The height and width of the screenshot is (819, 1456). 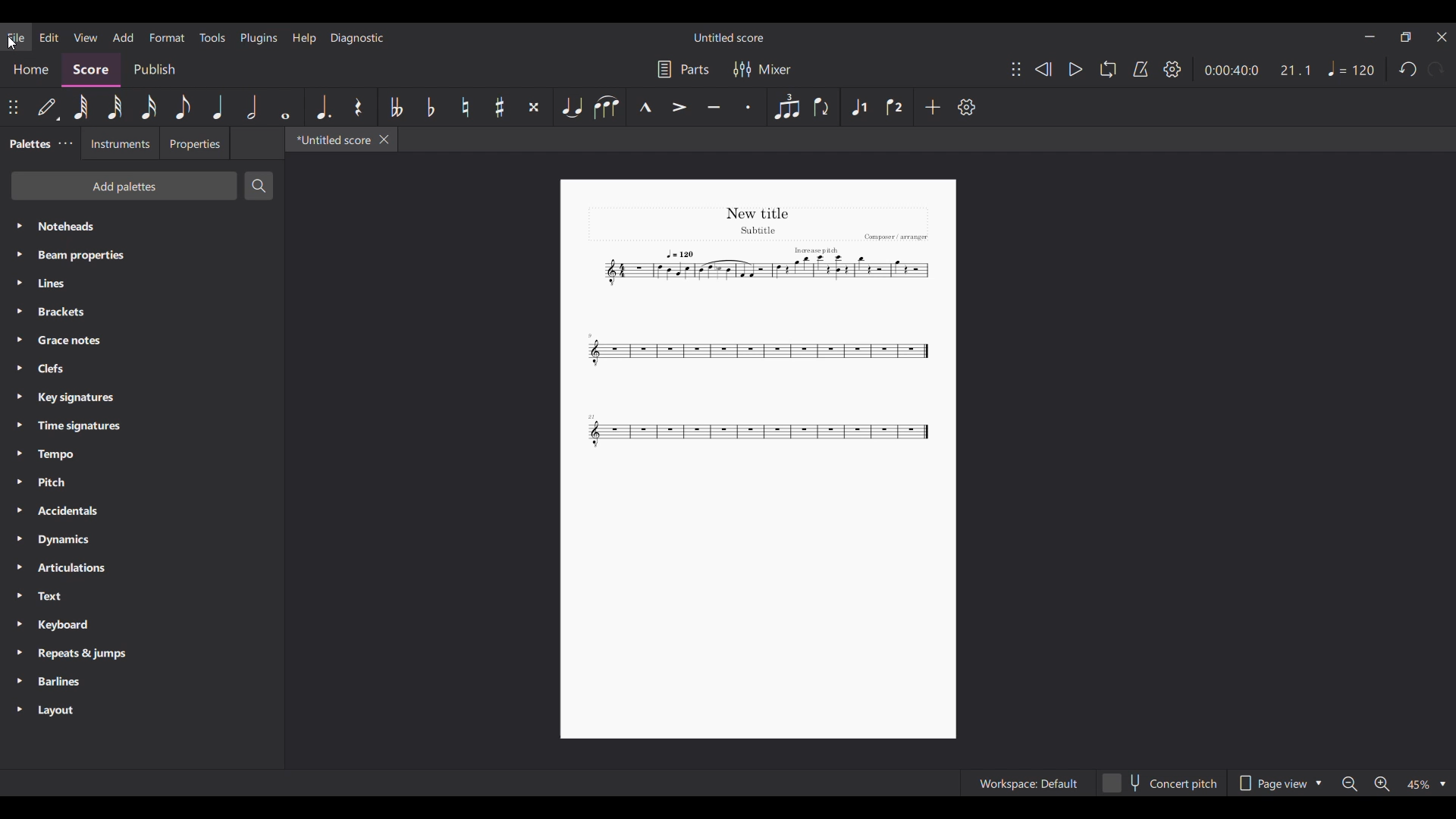 What do you see at coordinates (748, 107) in the screenshot?
I see `Staccato` at bounding box center [748, 107].